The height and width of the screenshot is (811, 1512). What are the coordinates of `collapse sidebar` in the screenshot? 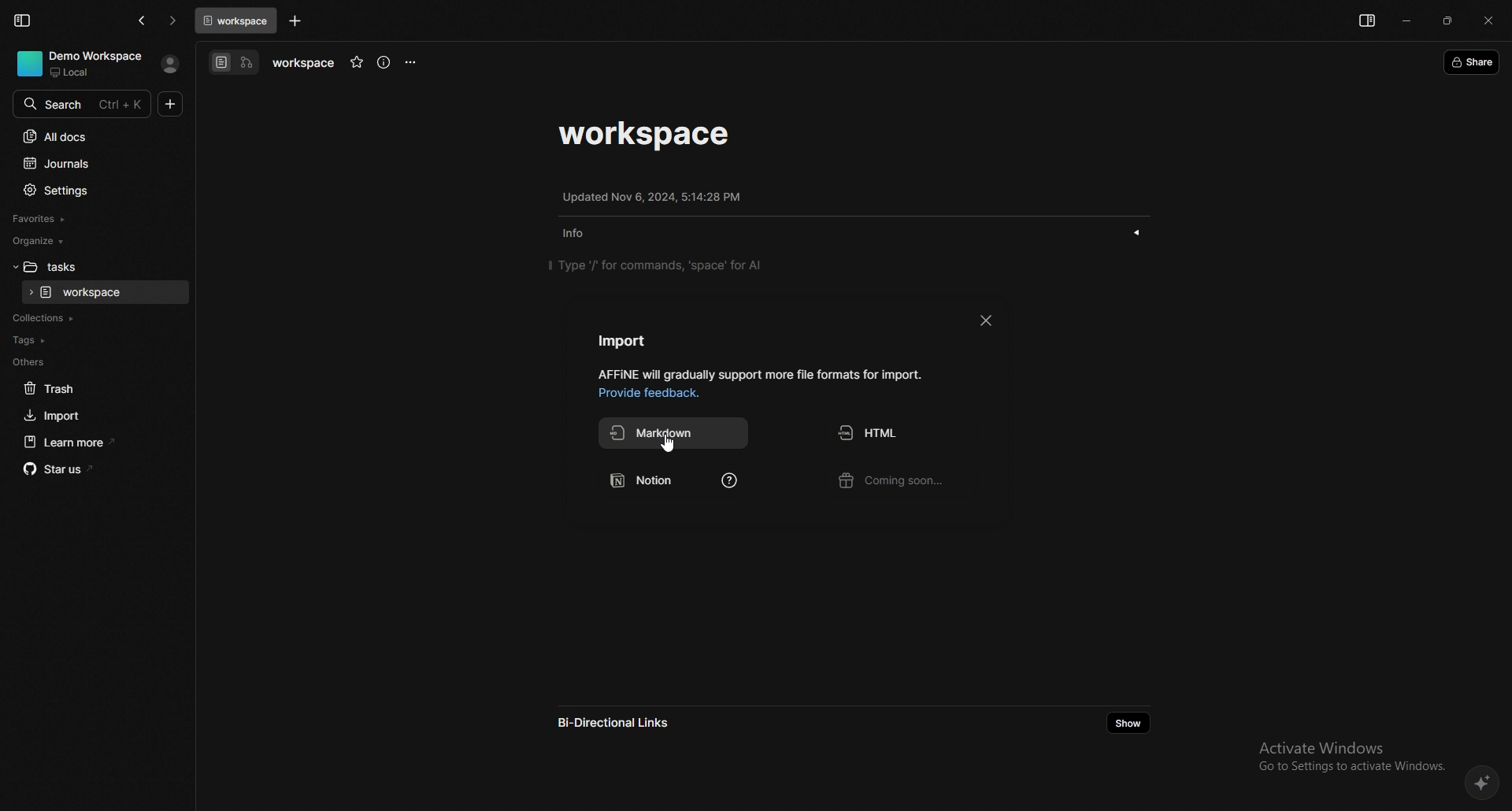 It's located at (22, 20).